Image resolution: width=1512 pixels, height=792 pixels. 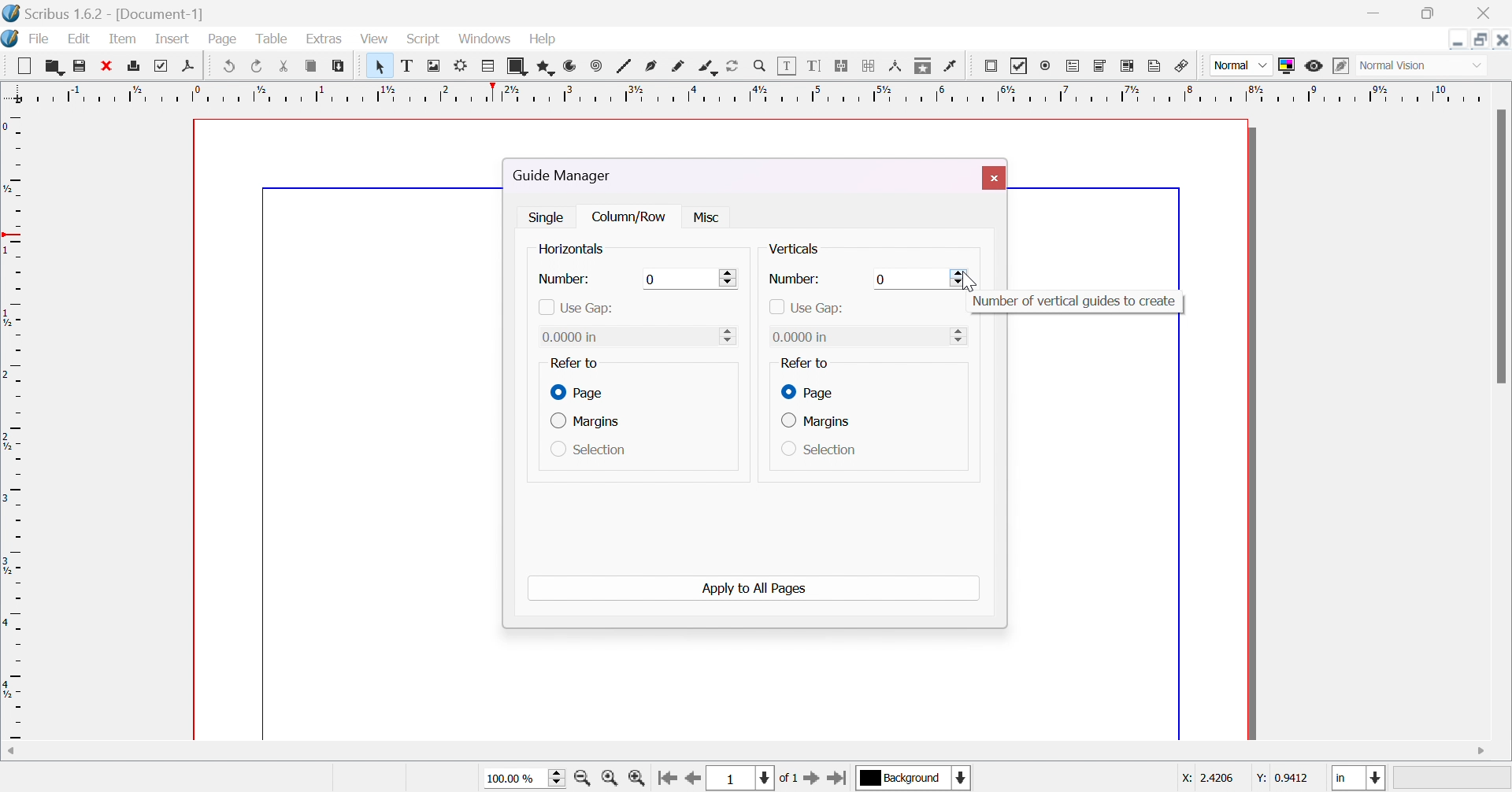 I want to click on minimize, so click(x=1371, y=13).